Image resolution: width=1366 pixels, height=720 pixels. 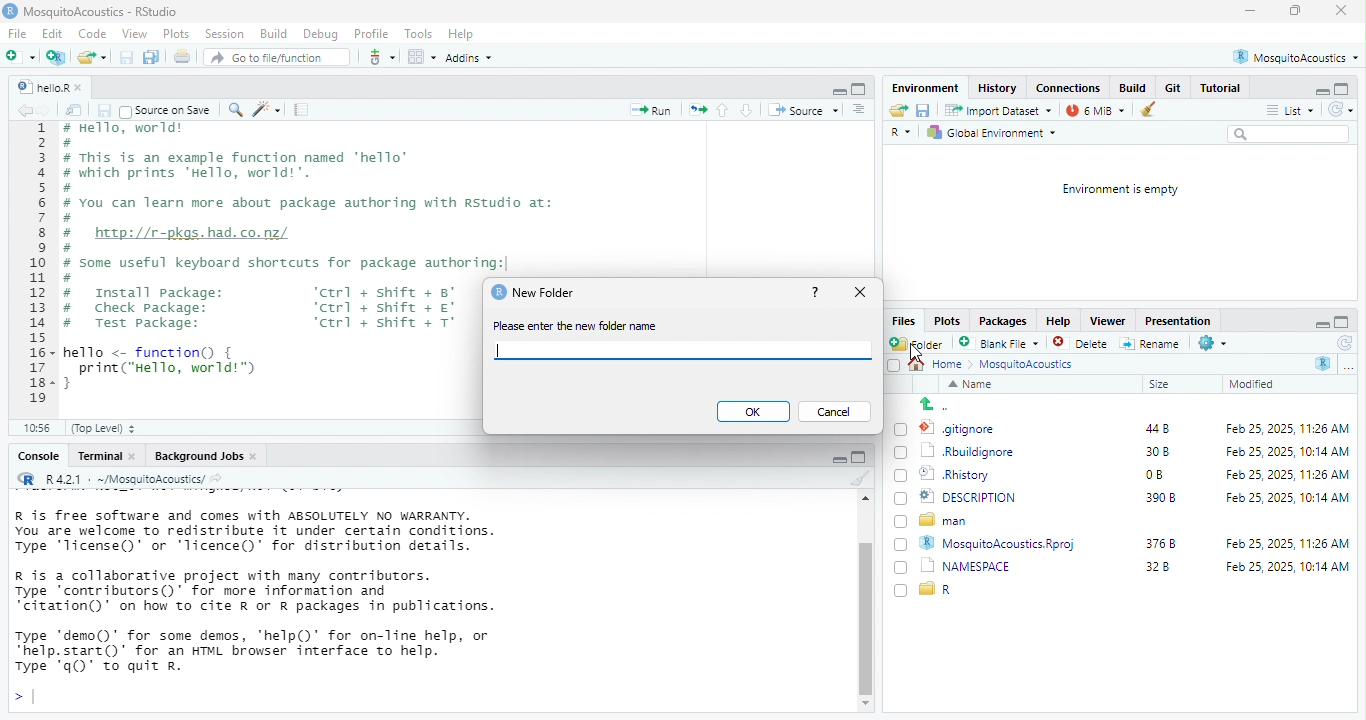 I want to click on 376b, so click(x=1162, y=542).